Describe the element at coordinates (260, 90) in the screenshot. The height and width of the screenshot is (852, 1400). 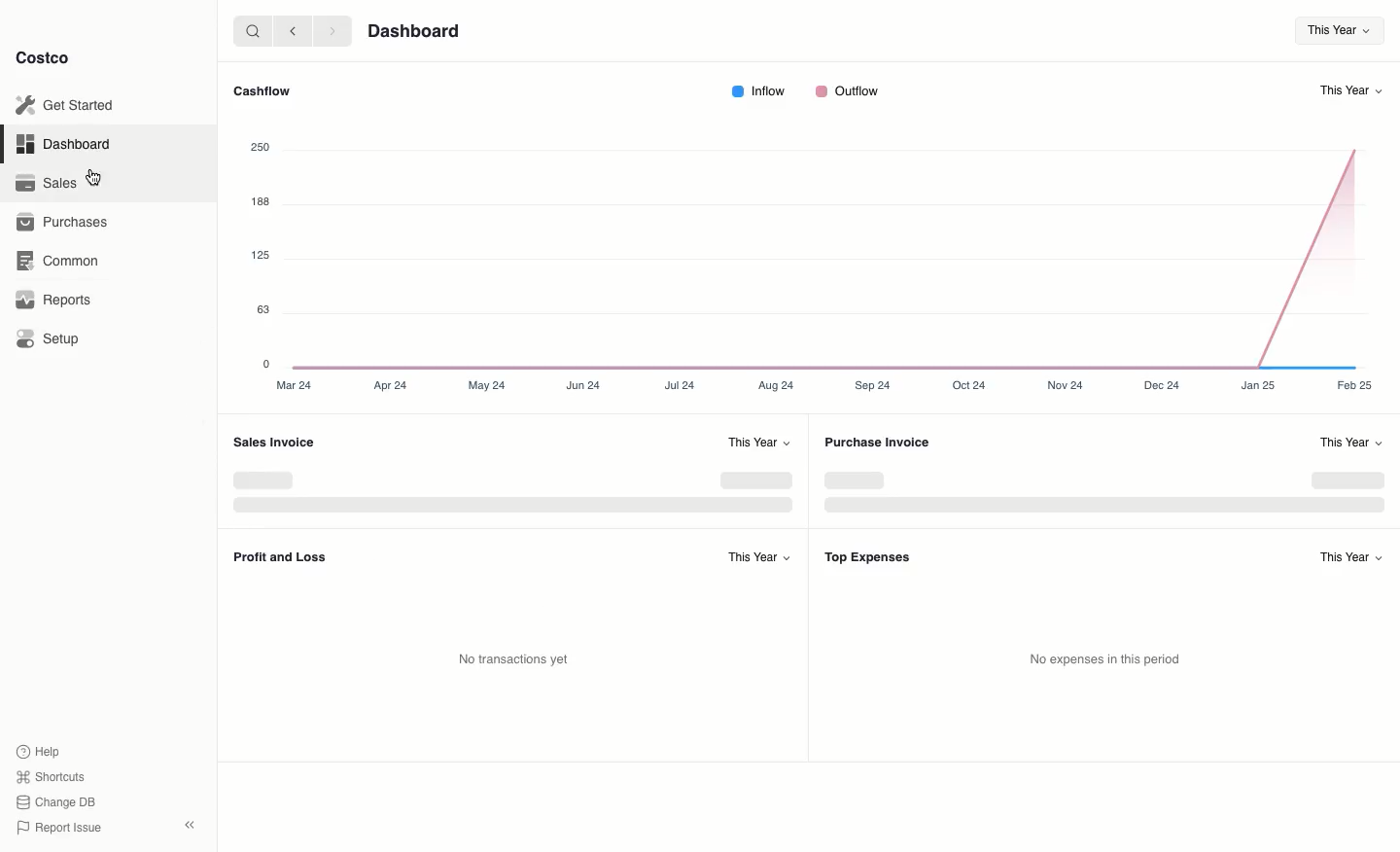
I see `Cashflow` at that location.